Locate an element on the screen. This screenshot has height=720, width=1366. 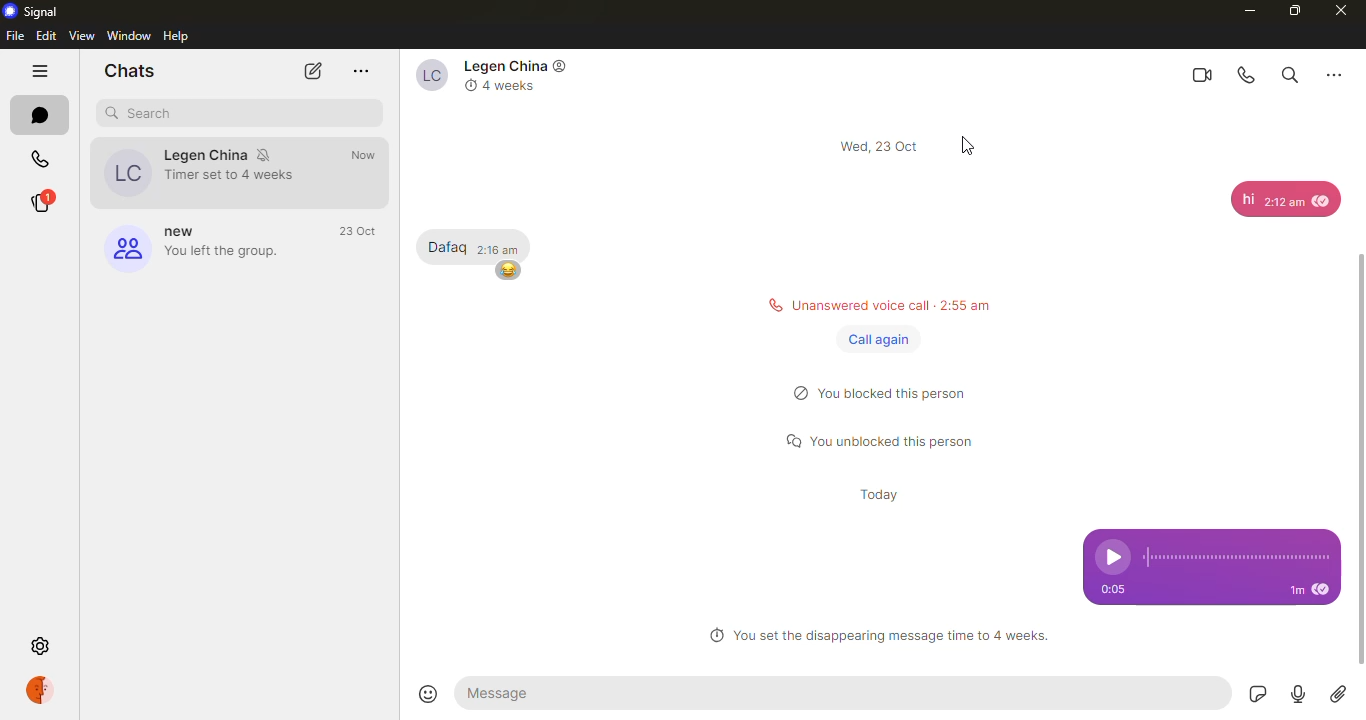
emoji is located at coordinates (509, 272).